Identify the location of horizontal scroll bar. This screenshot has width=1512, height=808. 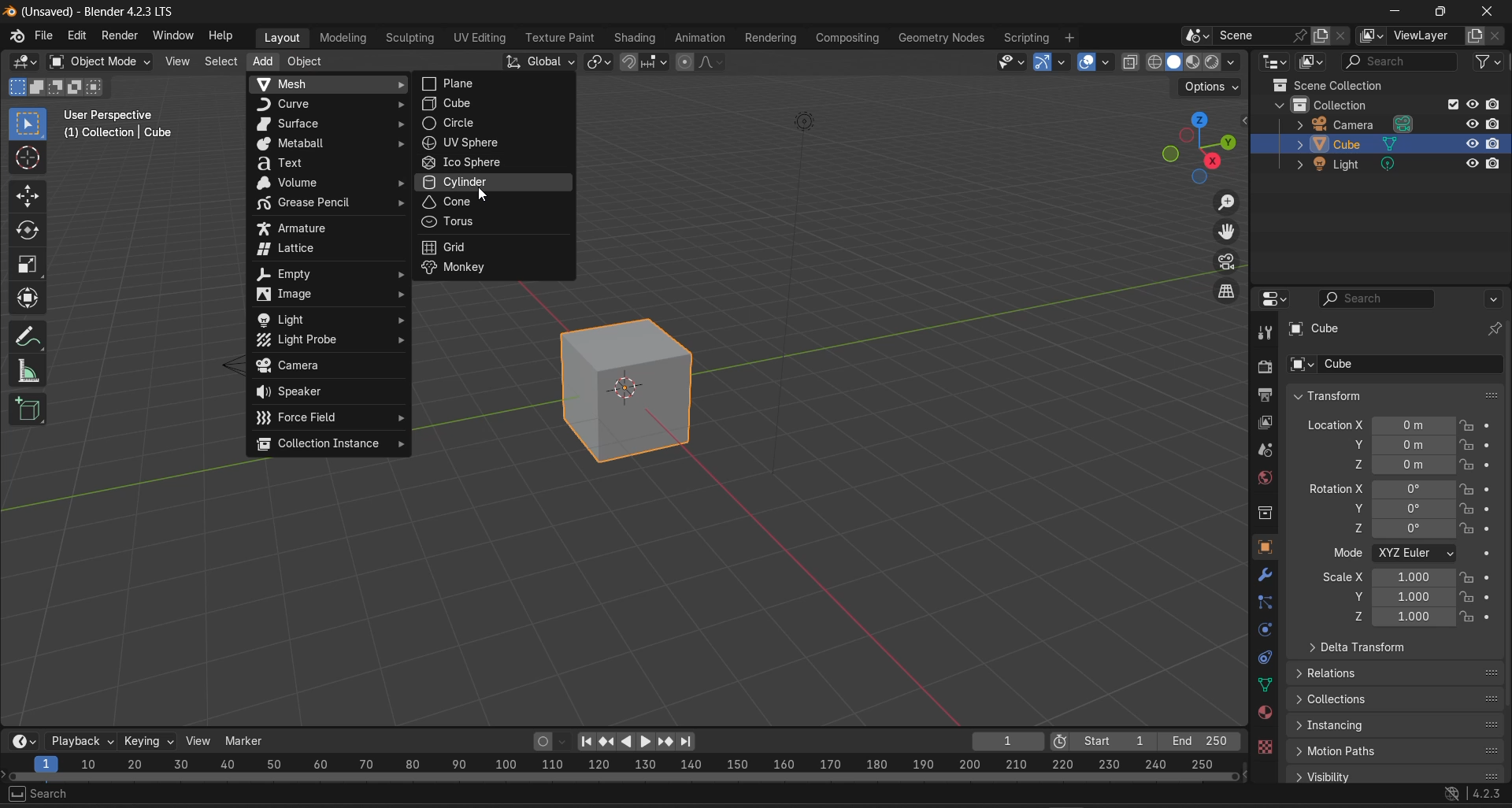
(623, 776).